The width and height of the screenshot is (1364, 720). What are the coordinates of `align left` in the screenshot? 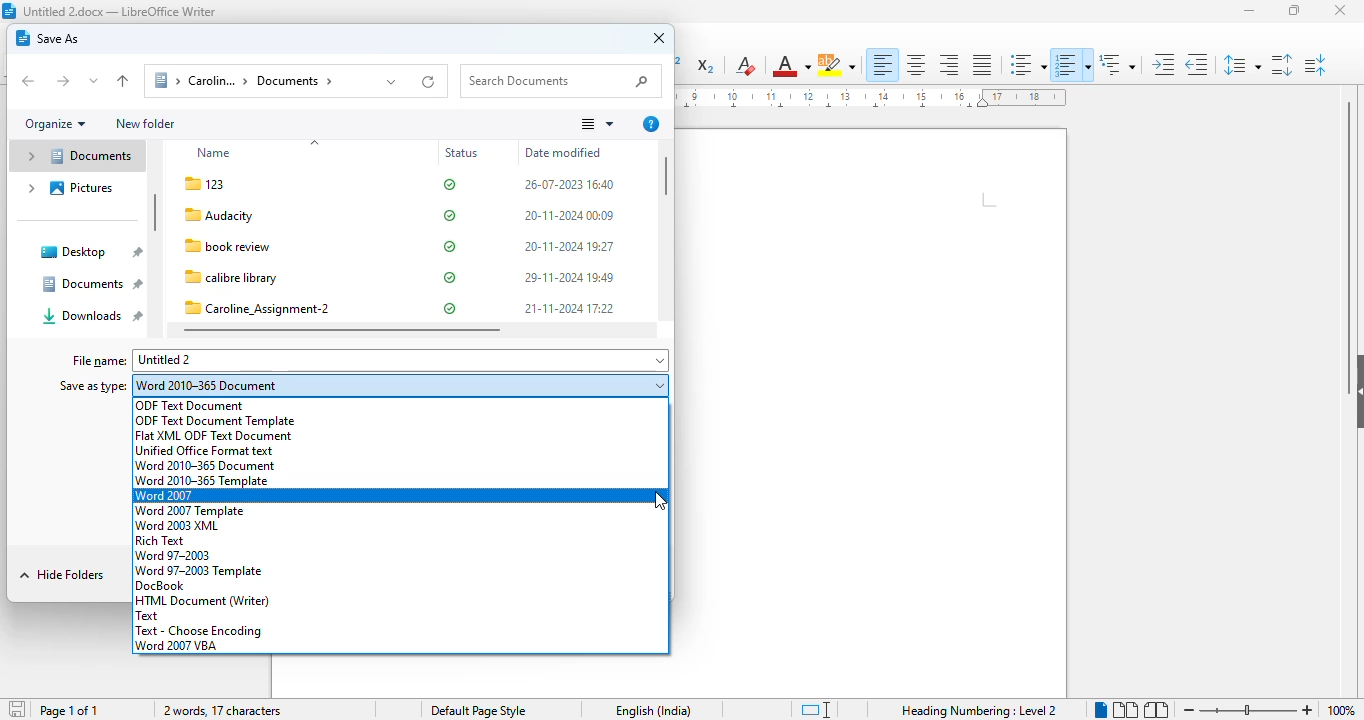 It's located at (884, 65).